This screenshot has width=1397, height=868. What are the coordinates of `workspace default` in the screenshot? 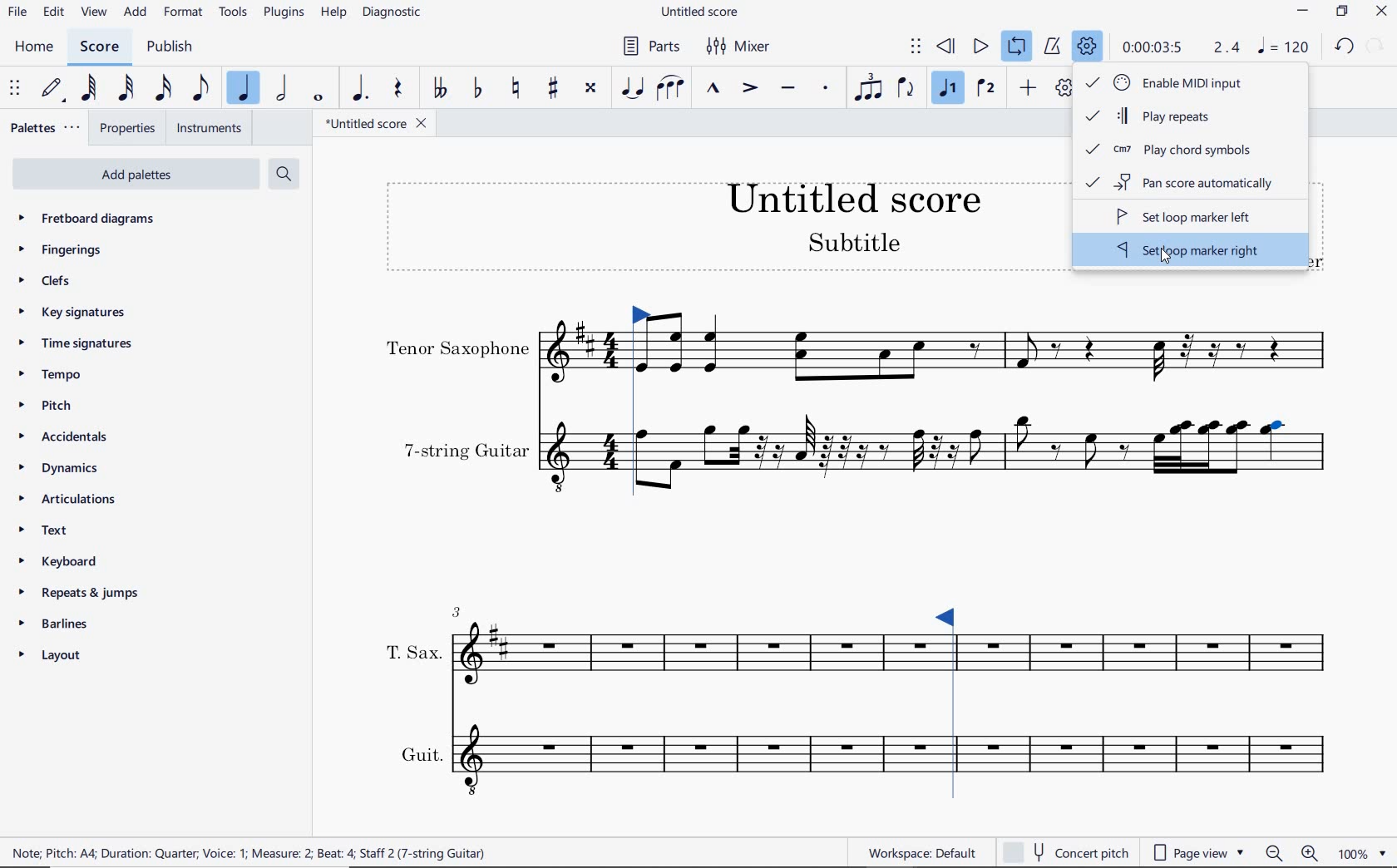 It's located at (920, 852).